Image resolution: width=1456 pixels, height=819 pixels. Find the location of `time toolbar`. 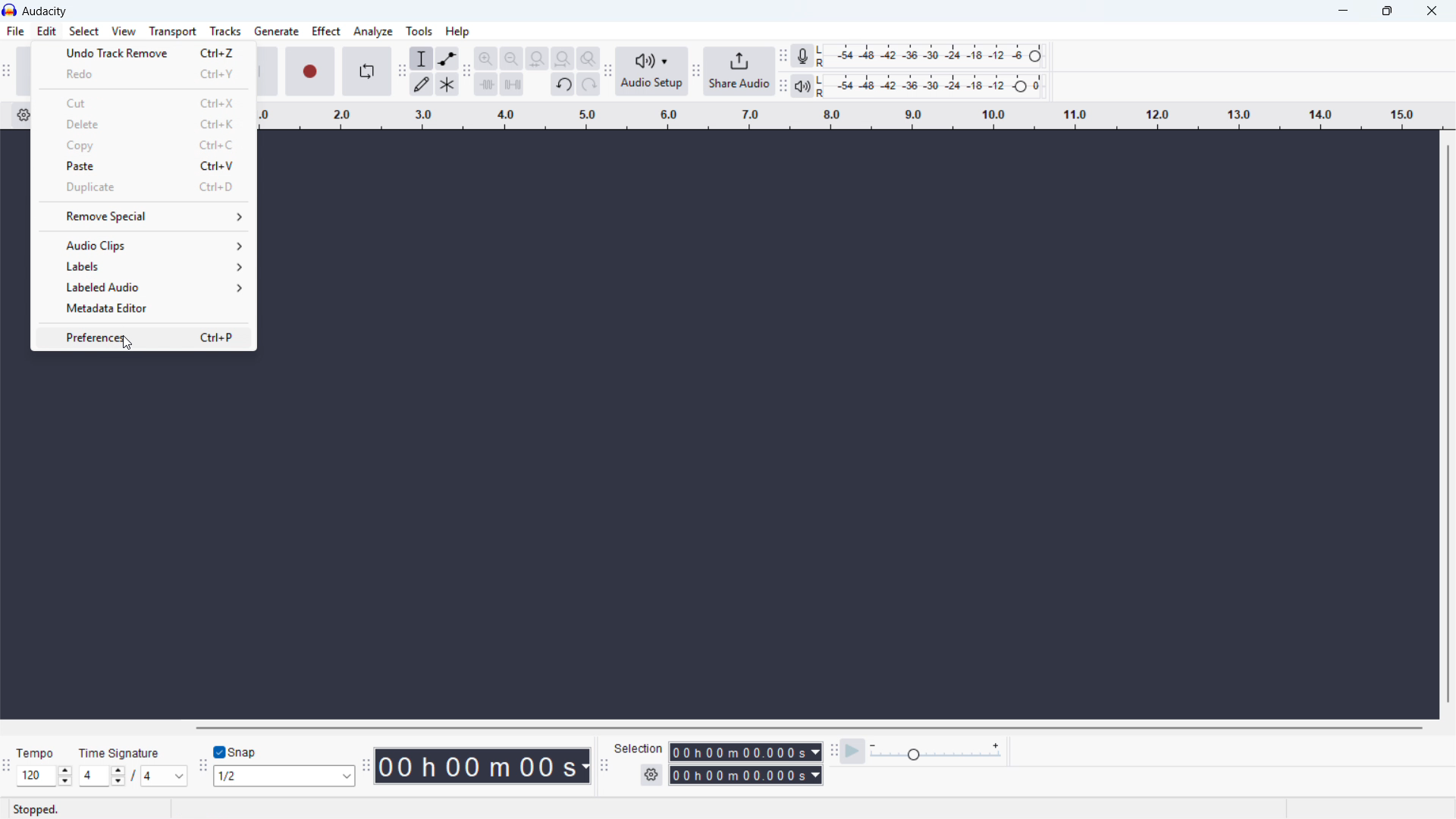

time toolbar is located at coordinates (364, 767).